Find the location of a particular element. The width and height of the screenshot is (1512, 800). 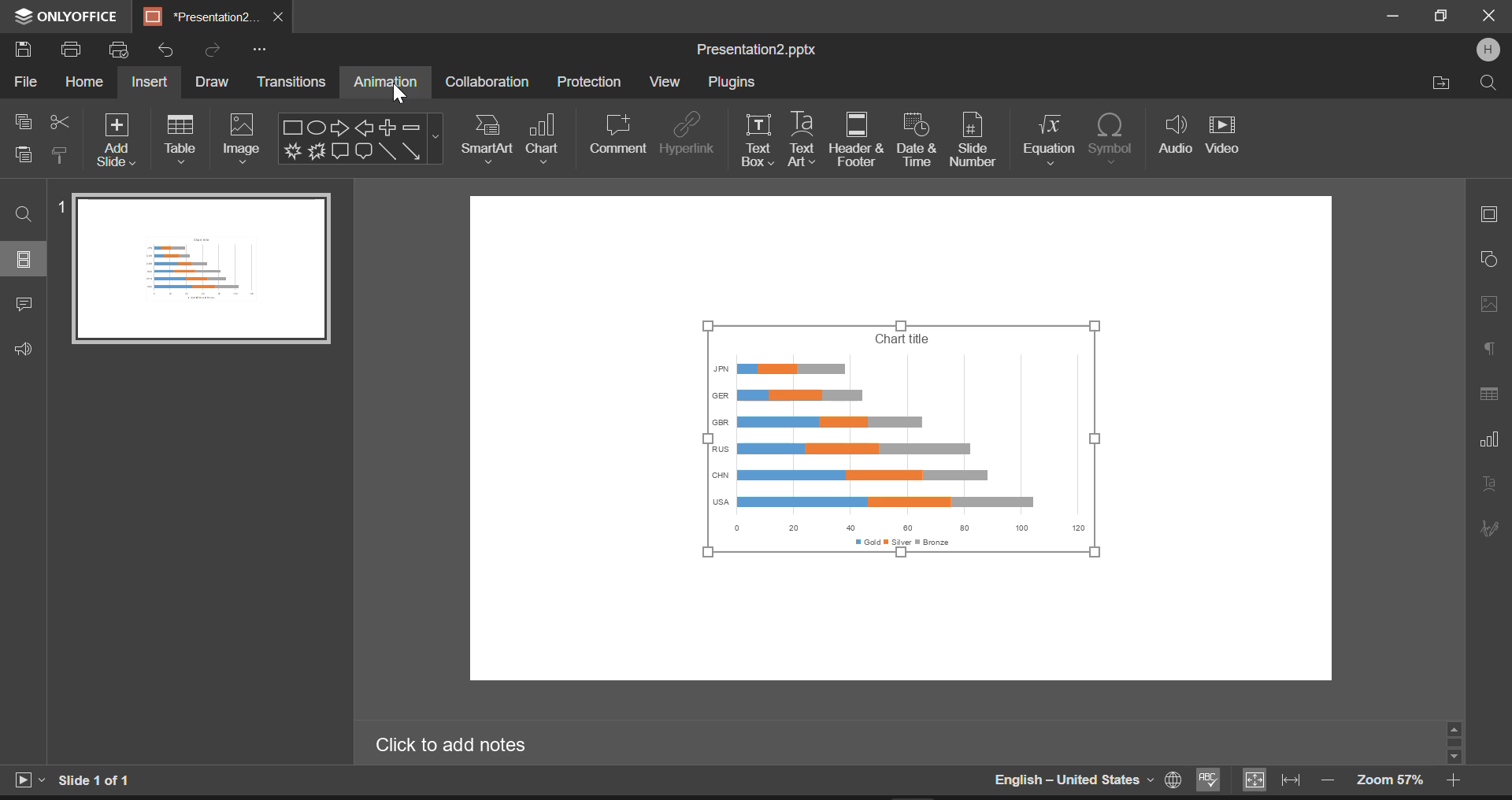

Minimize is located at coordinates (1443, 17).